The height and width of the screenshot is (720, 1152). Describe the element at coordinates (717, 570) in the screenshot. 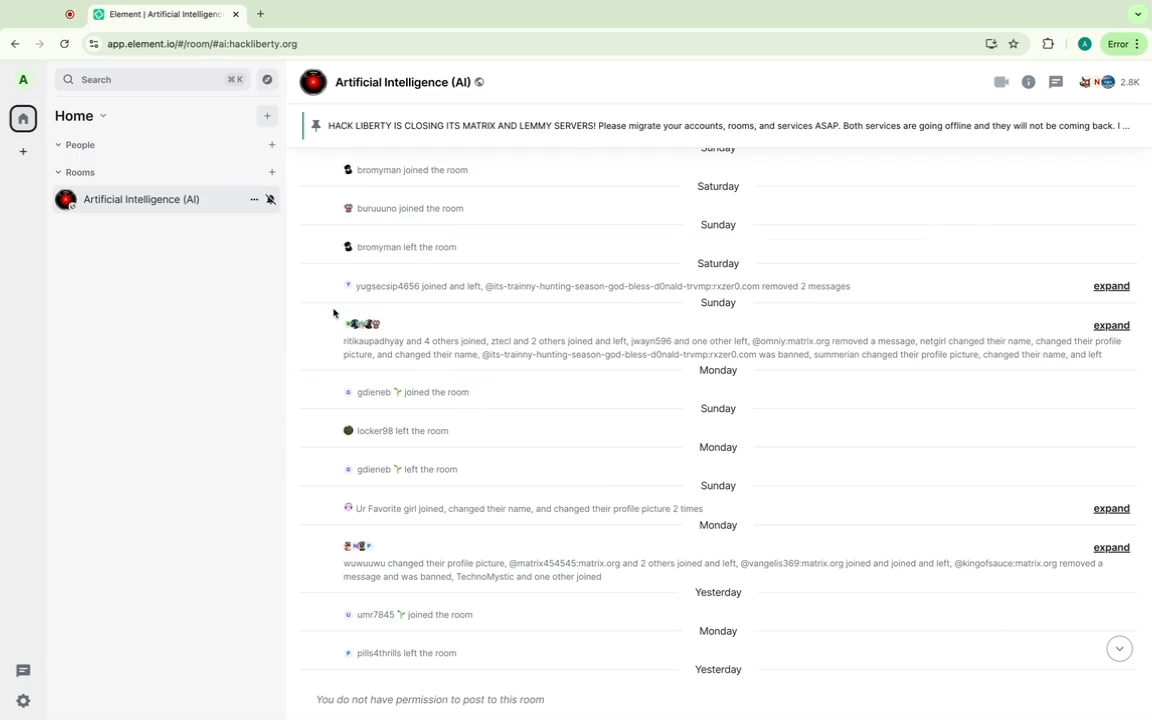

I see `Message` at that location.